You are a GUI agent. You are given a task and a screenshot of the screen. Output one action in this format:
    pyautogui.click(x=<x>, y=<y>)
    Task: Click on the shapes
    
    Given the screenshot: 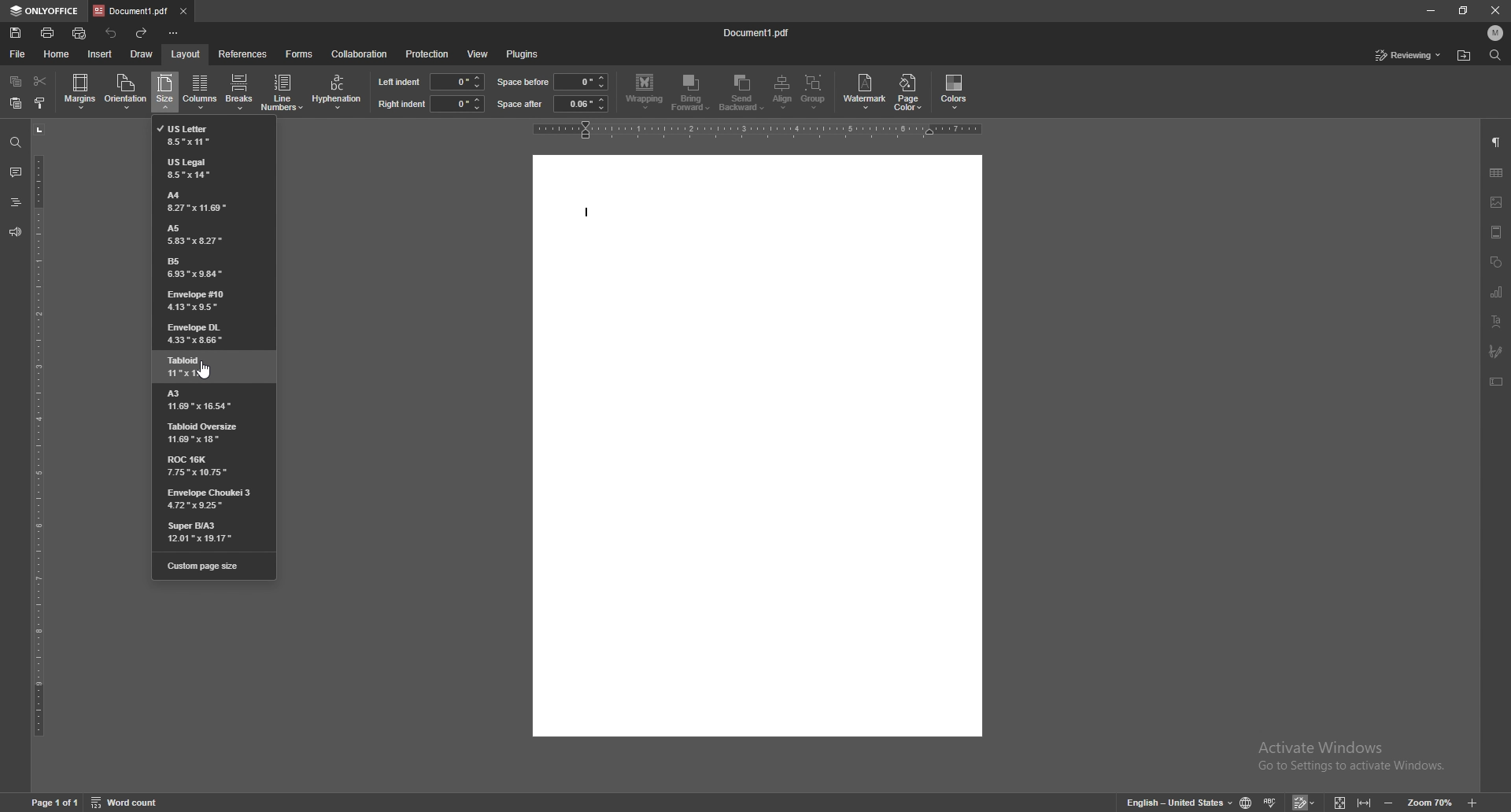 What is the action you would take?
    pyautogui.click(x=1496, y=262)
    